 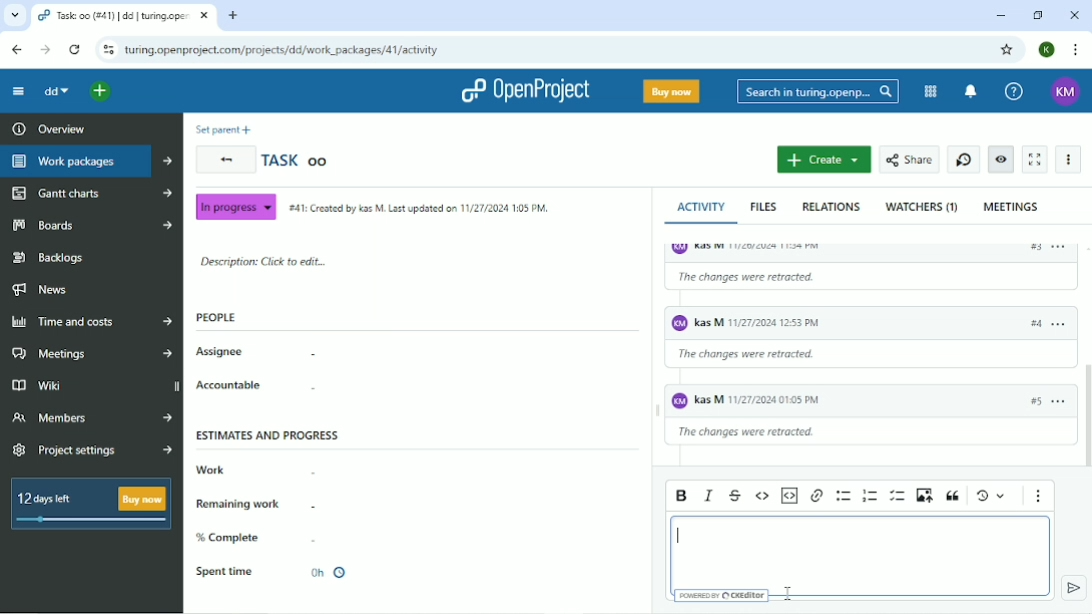 What do you see at coordinates (990, 496) in the screenshot?
I see `Show local modifications` at bounding box center [990, 496].